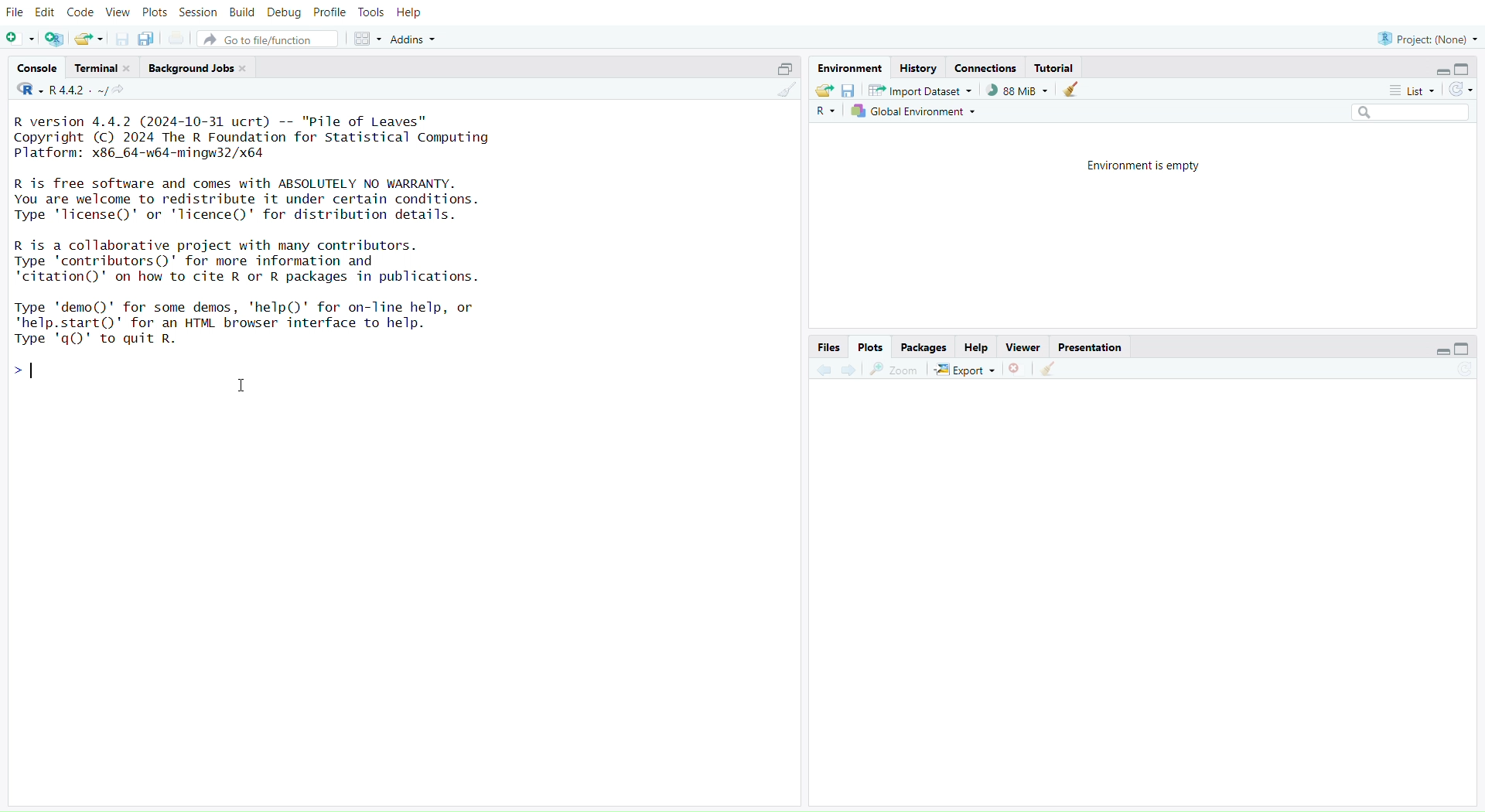 This screenshot has width=1485, height=812. I want to click on backward, so click(824, 370).